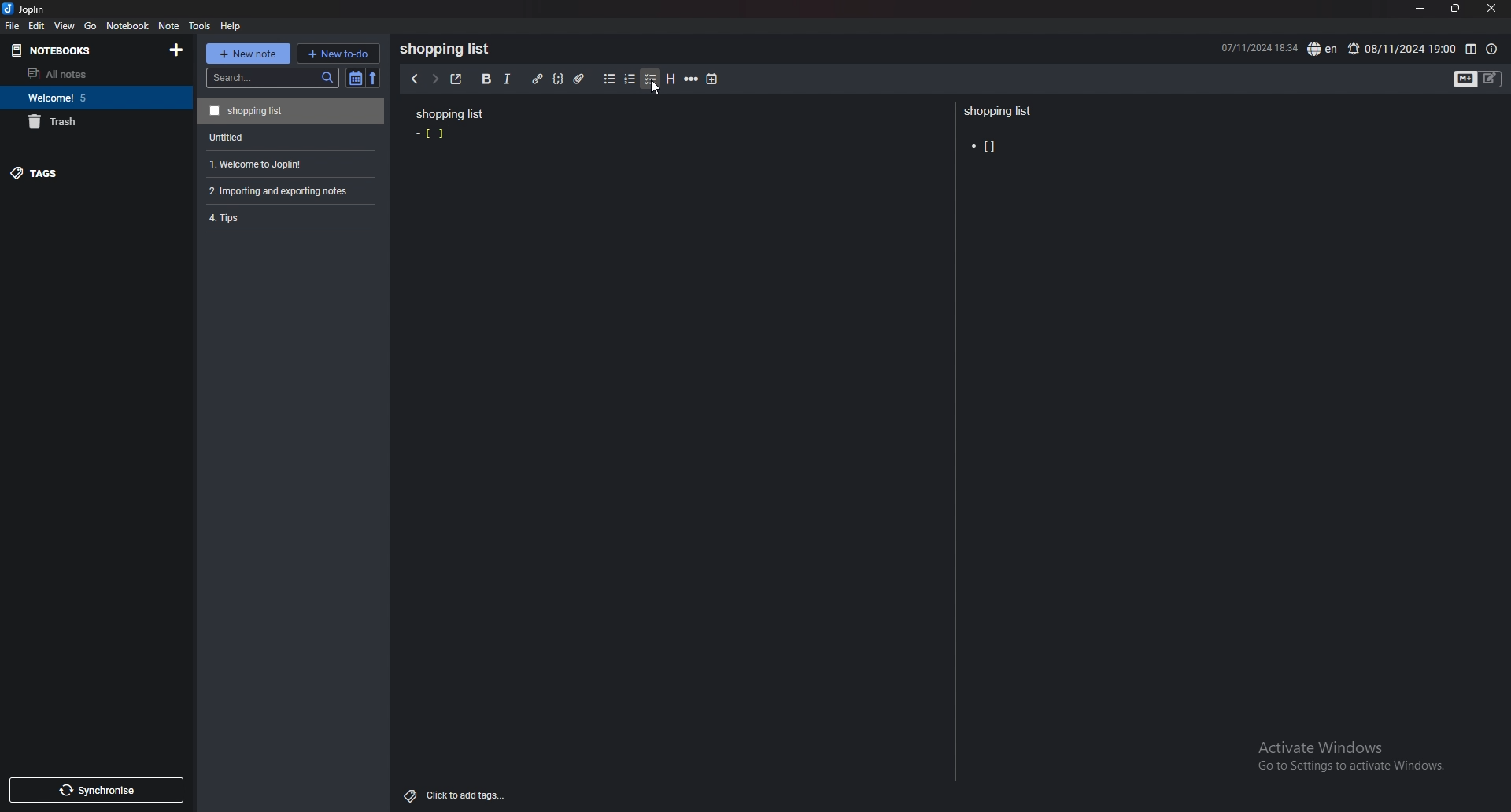 The width and height of the screenshot is (1511, 812). What do you see at coordinates (177, 49) in the screenshot?
I see `add notebooks` at bounding box center [177, 49].